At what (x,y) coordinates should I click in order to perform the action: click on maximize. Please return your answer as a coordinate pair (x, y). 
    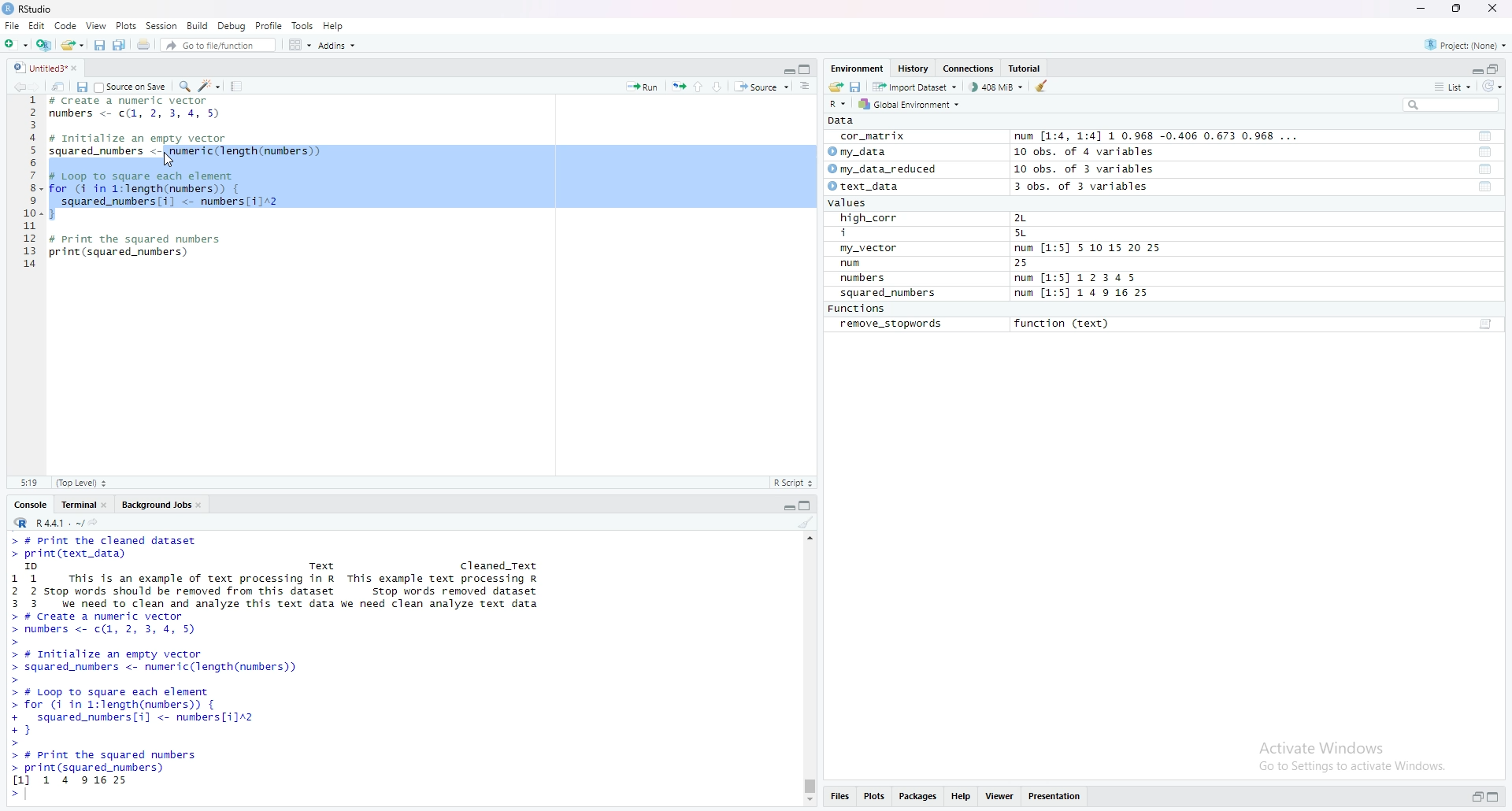
    Looking at the image, I should click on (1458, 9).